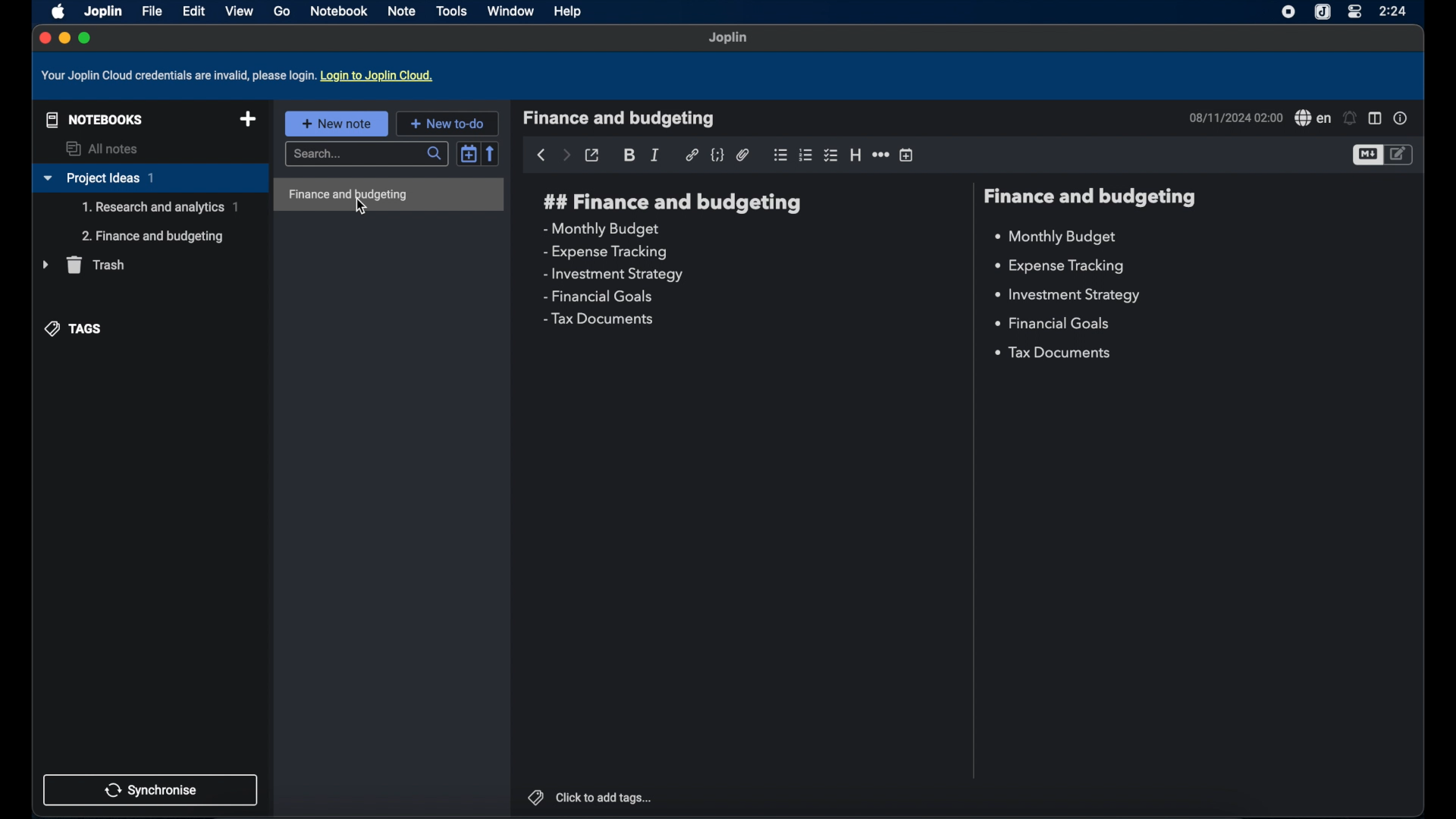 The height and width of the screenshot is (819, 1456). What do you see at coordinates (239, 11) in the screenshot?
I see `view` at bounding box center [239, 11].